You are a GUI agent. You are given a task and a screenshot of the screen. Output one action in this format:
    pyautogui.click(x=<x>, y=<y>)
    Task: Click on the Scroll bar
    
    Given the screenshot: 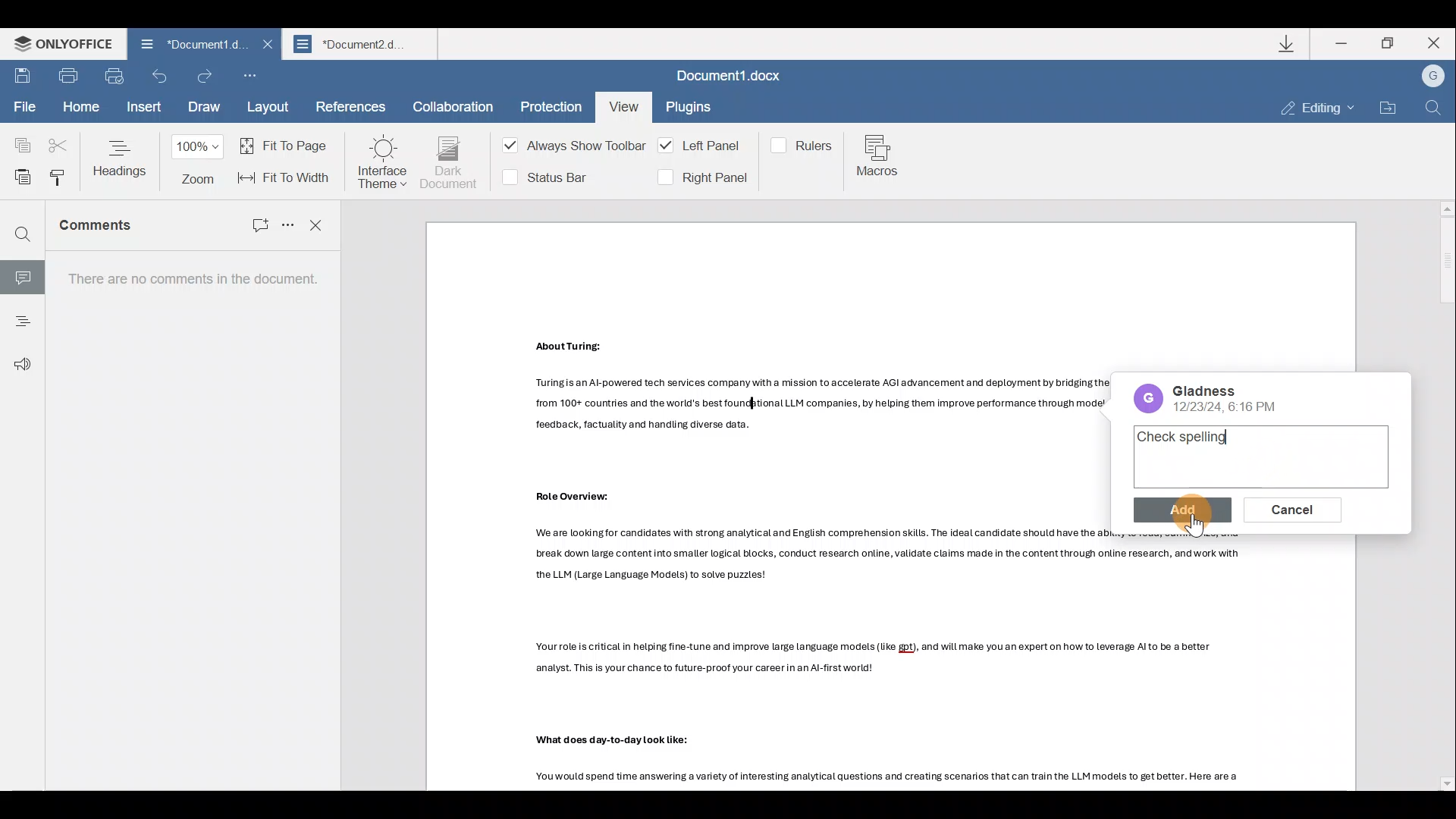 What is the action you would take?
    pyautogui.click(x=1442, y=496)
    